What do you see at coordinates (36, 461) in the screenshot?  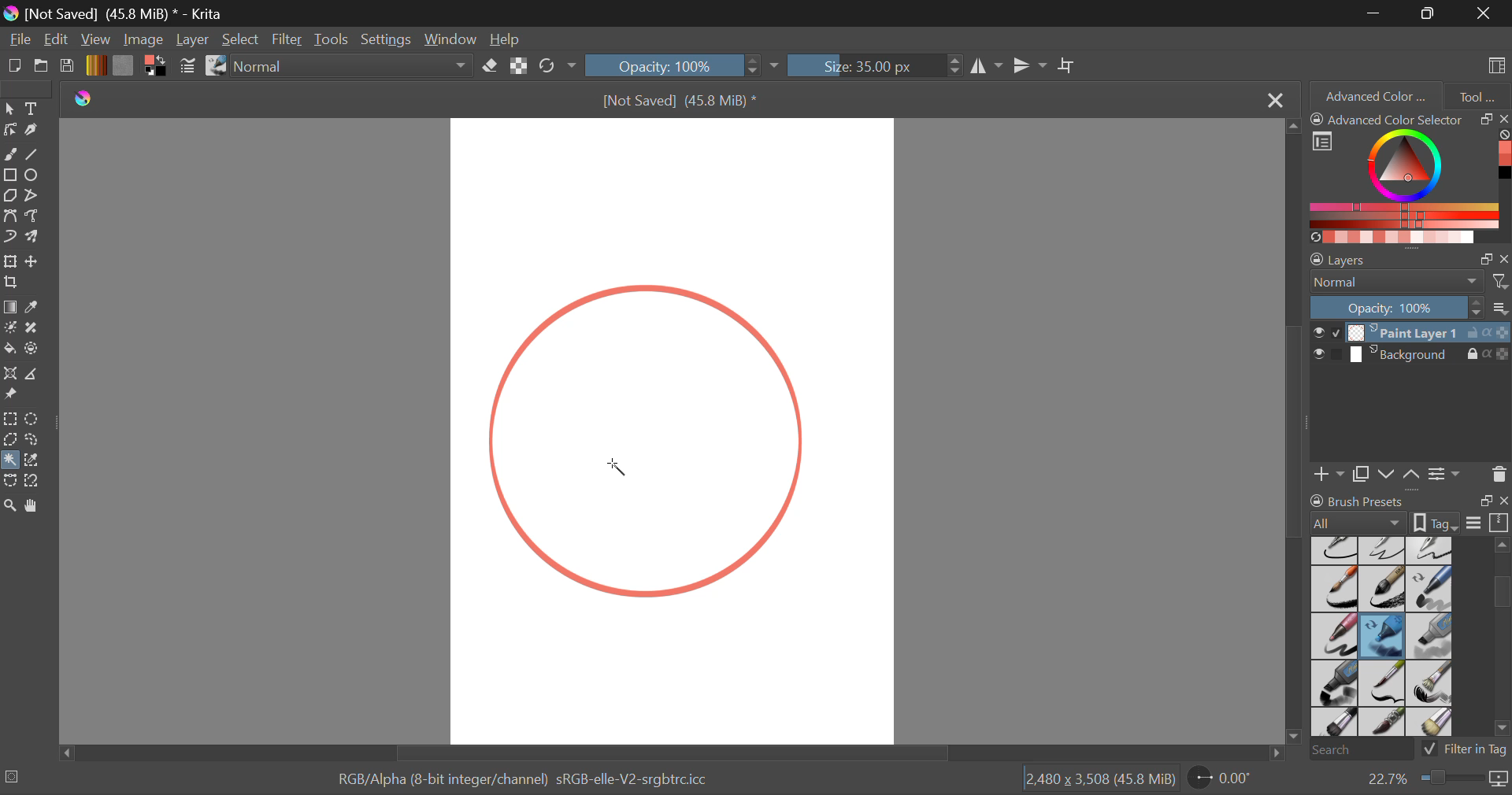 I see `Similar Color Selection` at bounding box center [36, 461].